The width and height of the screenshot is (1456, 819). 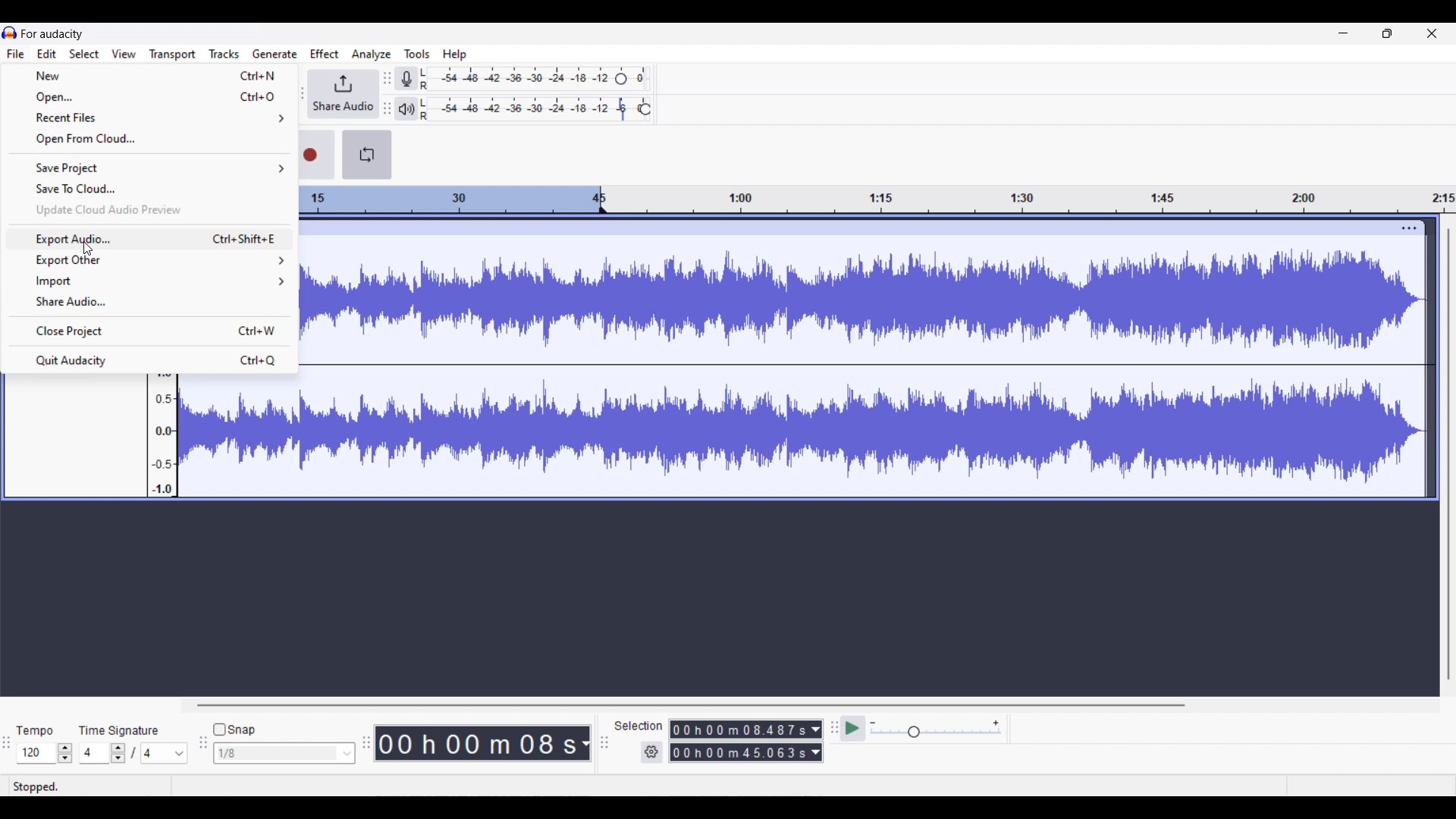 I want to click on Scale to measure intensty if sound, so click(x=163, y=436).